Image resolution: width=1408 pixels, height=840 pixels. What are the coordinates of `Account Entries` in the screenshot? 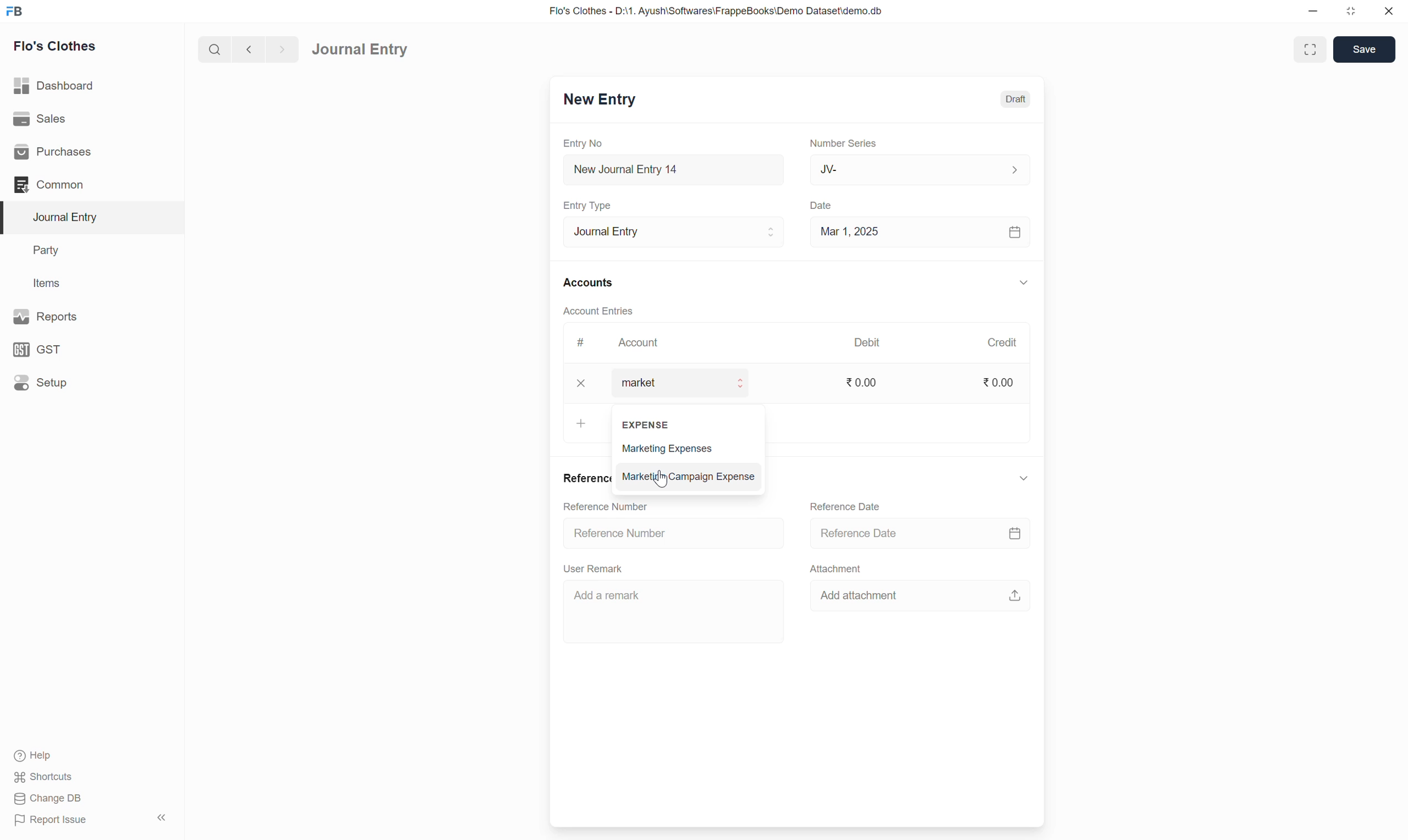 It's located at (599, 310).